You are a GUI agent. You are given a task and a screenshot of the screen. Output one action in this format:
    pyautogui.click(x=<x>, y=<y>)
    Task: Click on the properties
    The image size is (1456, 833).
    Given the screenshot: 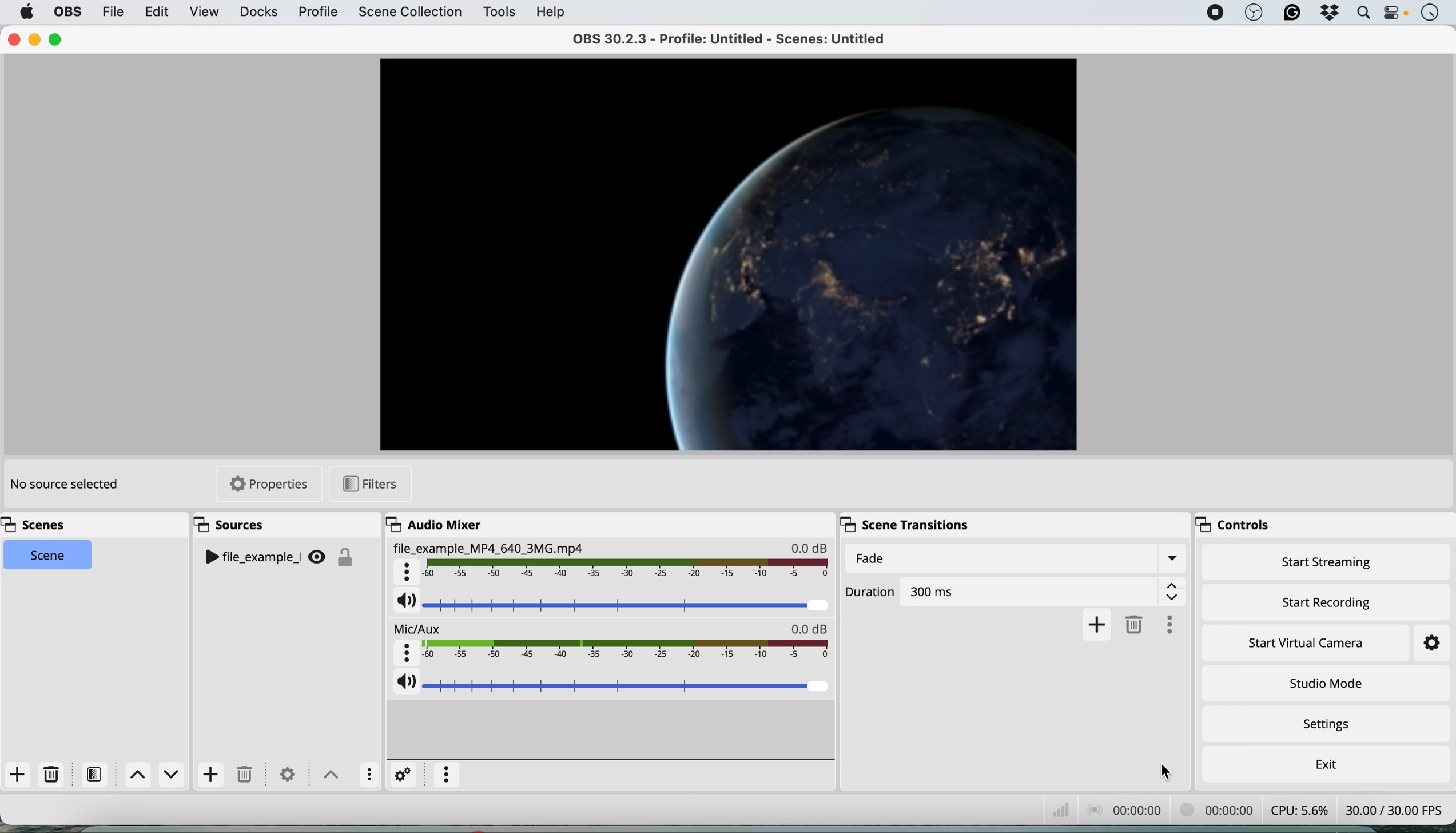 What is the action you would take?
    pyautogui.click(x=275, y=486)
    